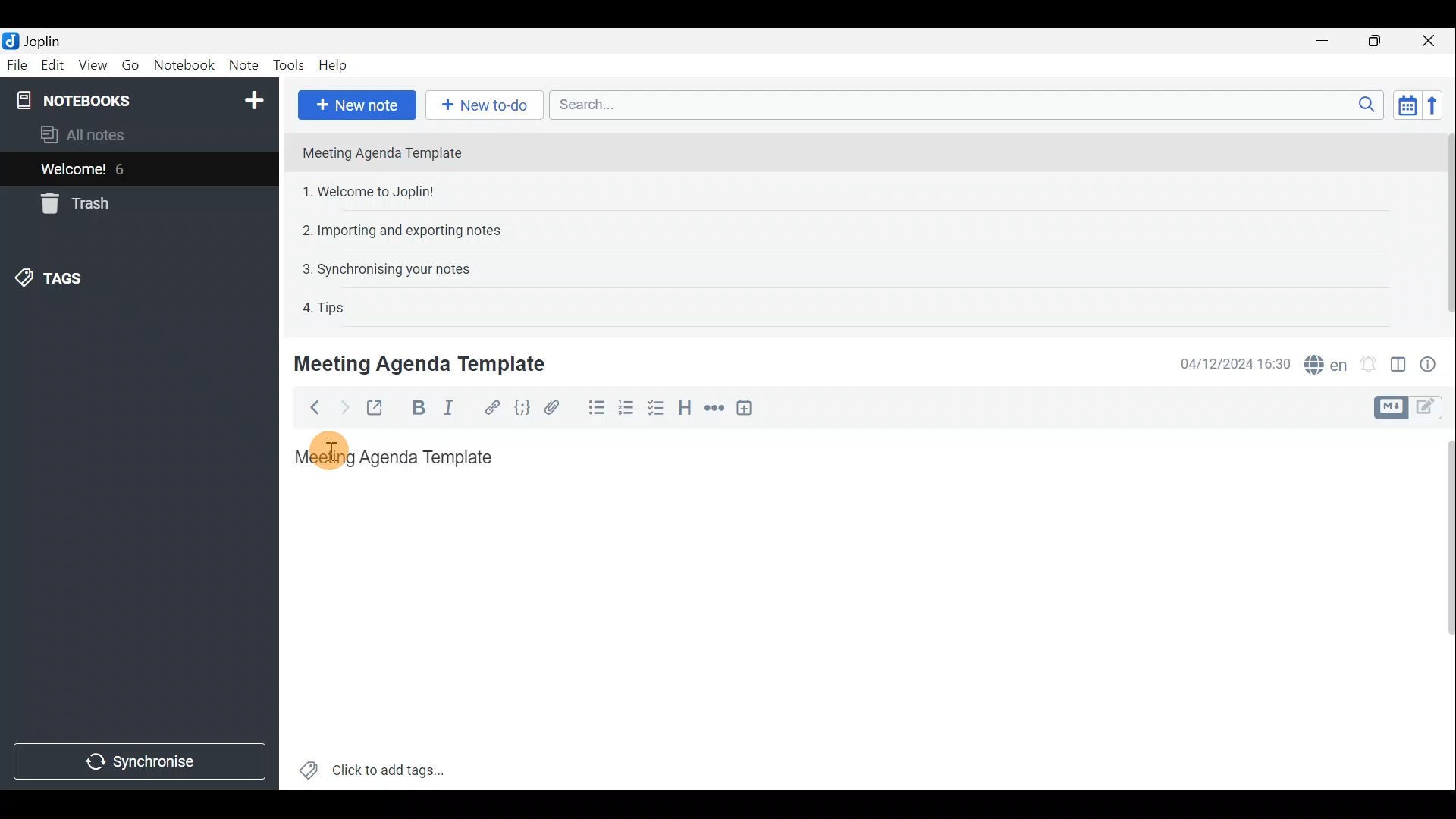 The height and width of the screenshot is (819, 1456). Describe the element at coordinates (331, 455) in the screenshot. I see `cursor` at that location.